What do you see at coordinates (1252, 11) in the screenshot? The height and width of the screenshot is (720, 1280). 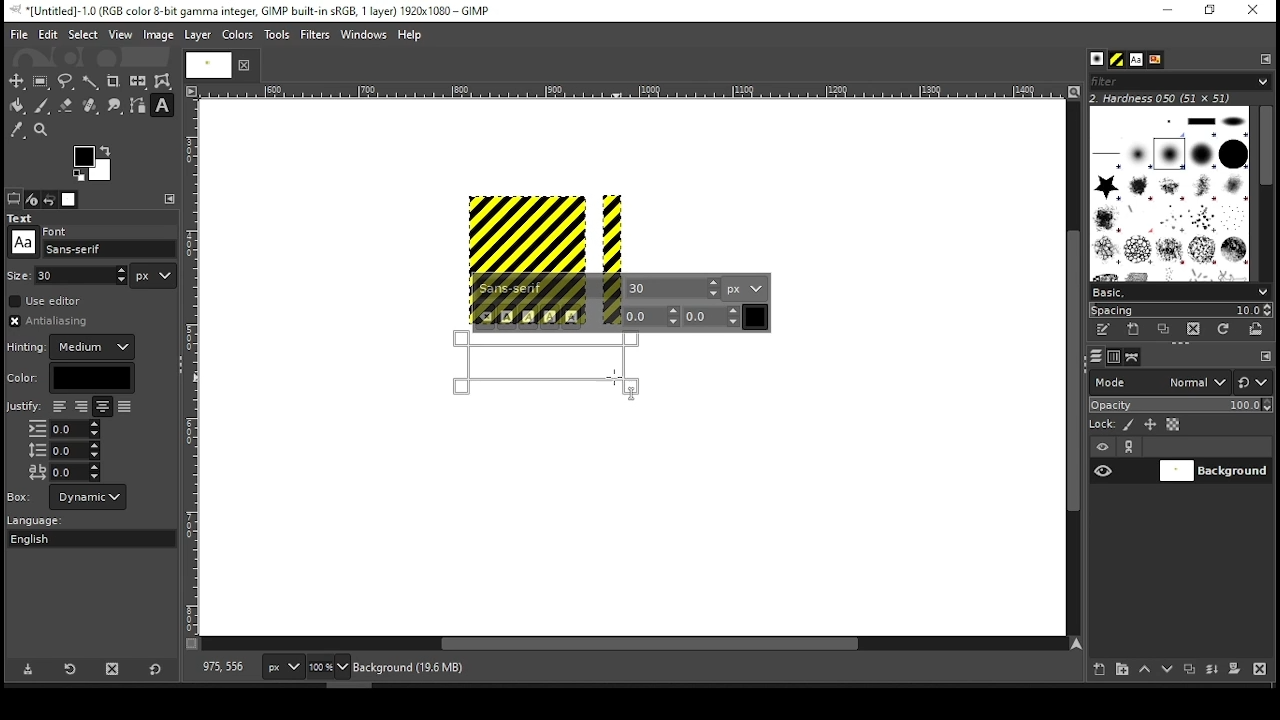 I see `close window` at bounding box center [1252, 11].